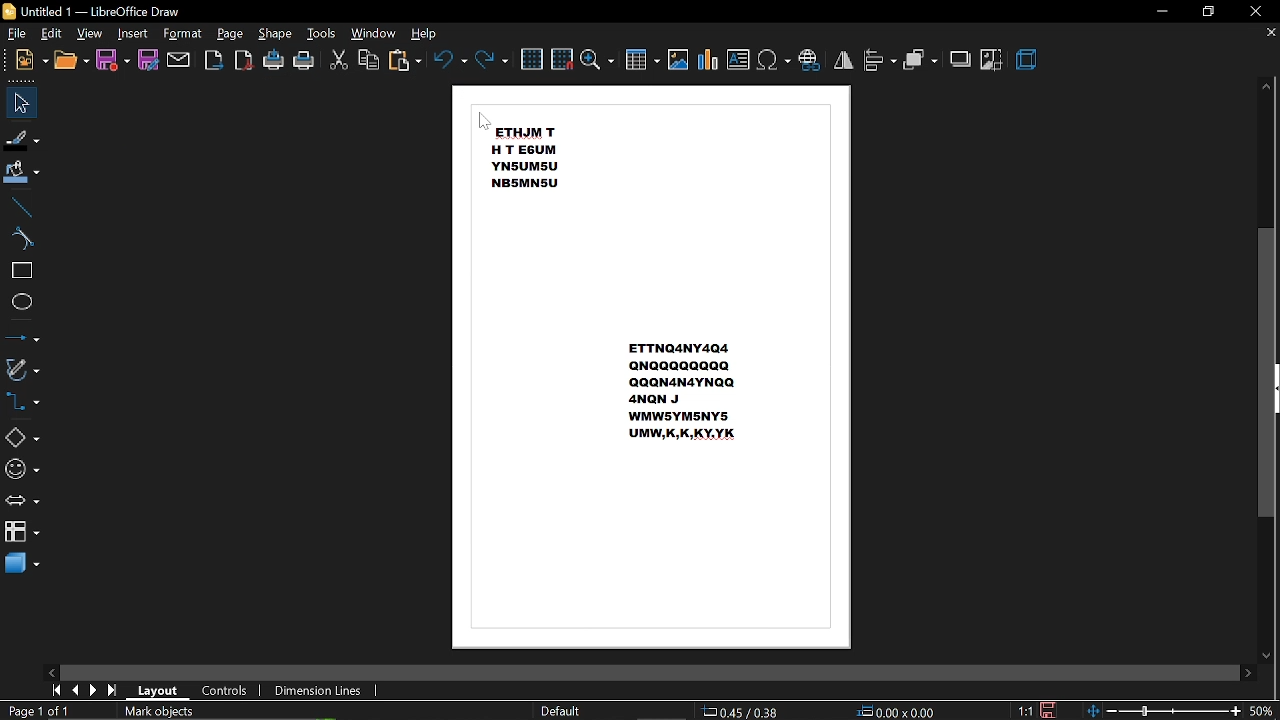  Describe the element at coordinates (21, 533) in the screenshot. I see `flowchart` at that location.